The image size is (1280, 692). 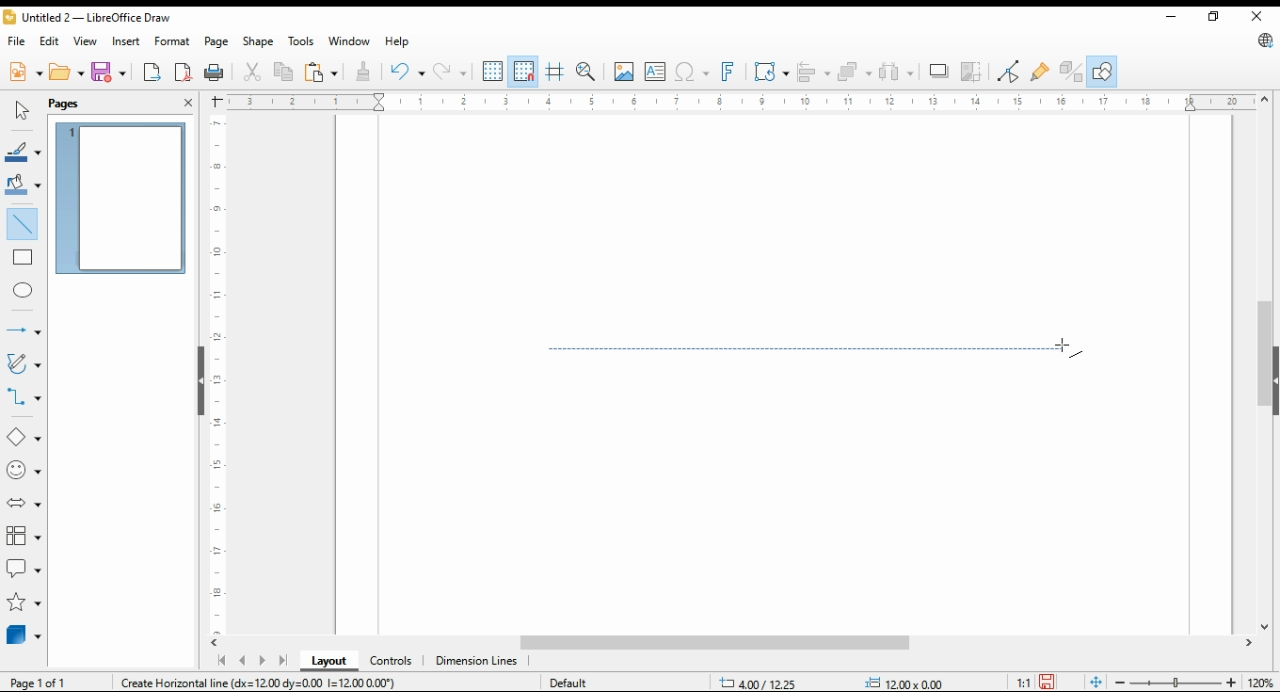 What do you see at coordinates (1096, 683) in the screenshot?
I see `fit page to window` at bounding box center [1096, 683].